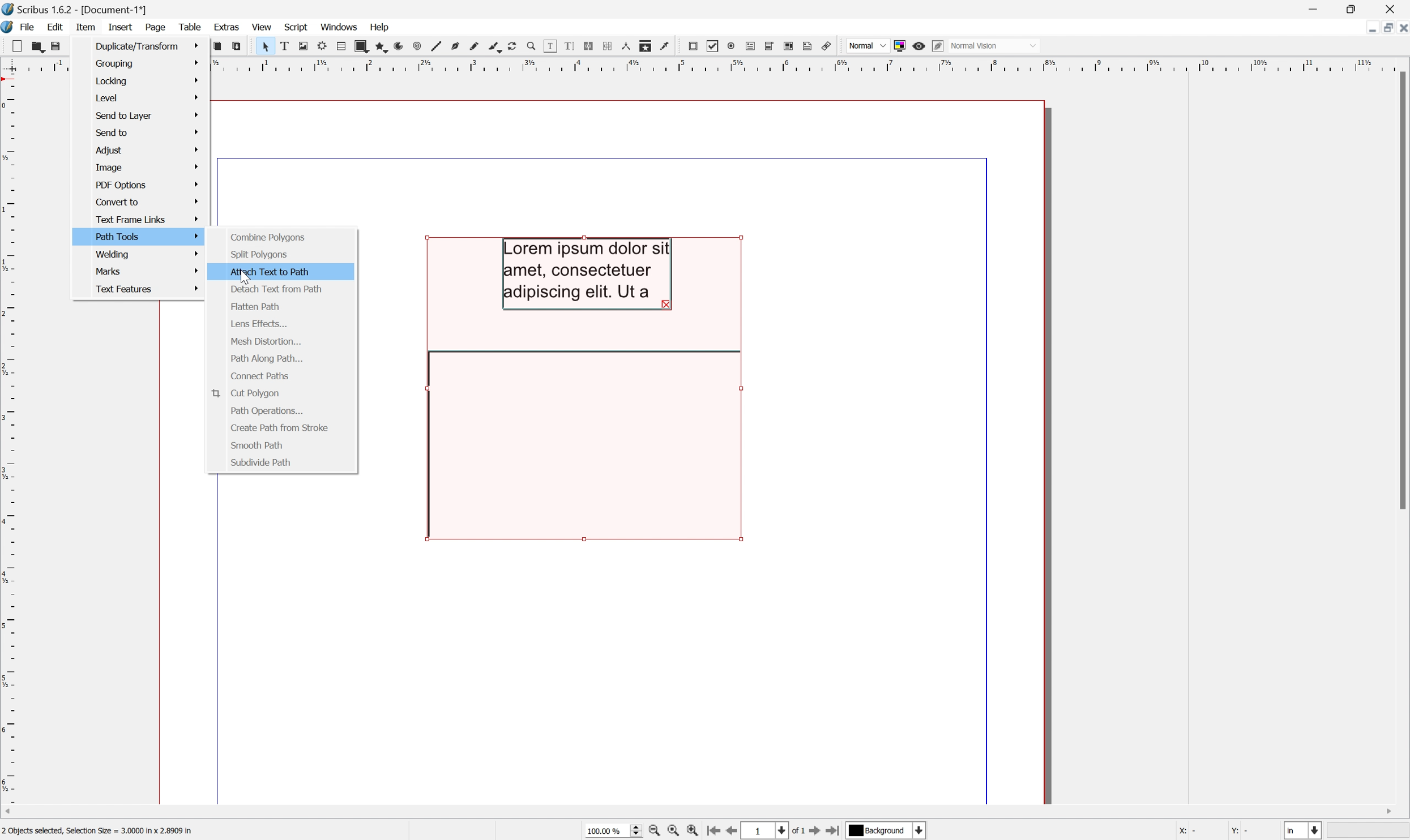  Describe the element at coordinates (529, 46) in the screenshot. I see `Zoom in or out` at that location.